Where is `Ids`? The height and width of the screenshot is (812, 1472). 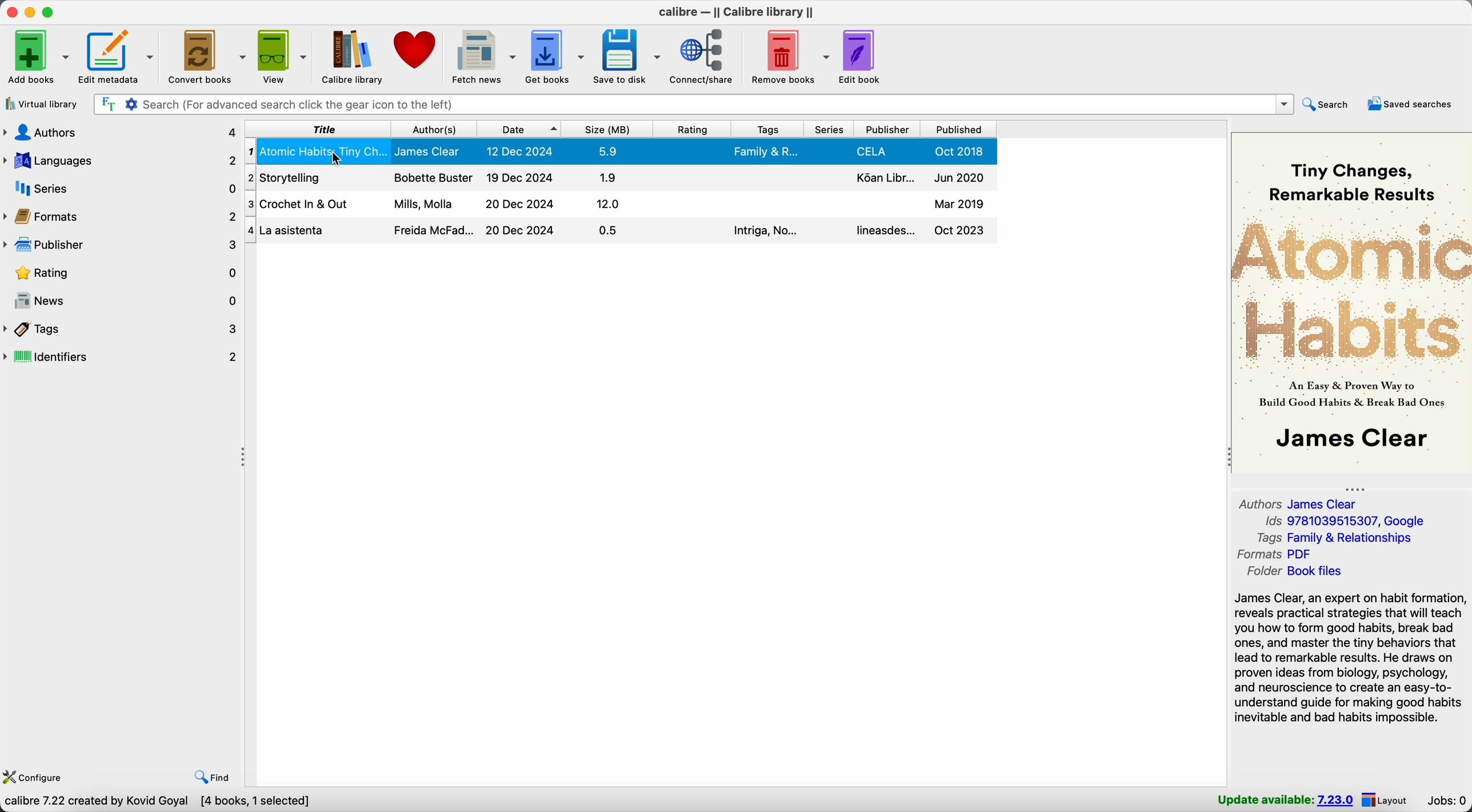 Ids is located at coordinates (1342, 522).